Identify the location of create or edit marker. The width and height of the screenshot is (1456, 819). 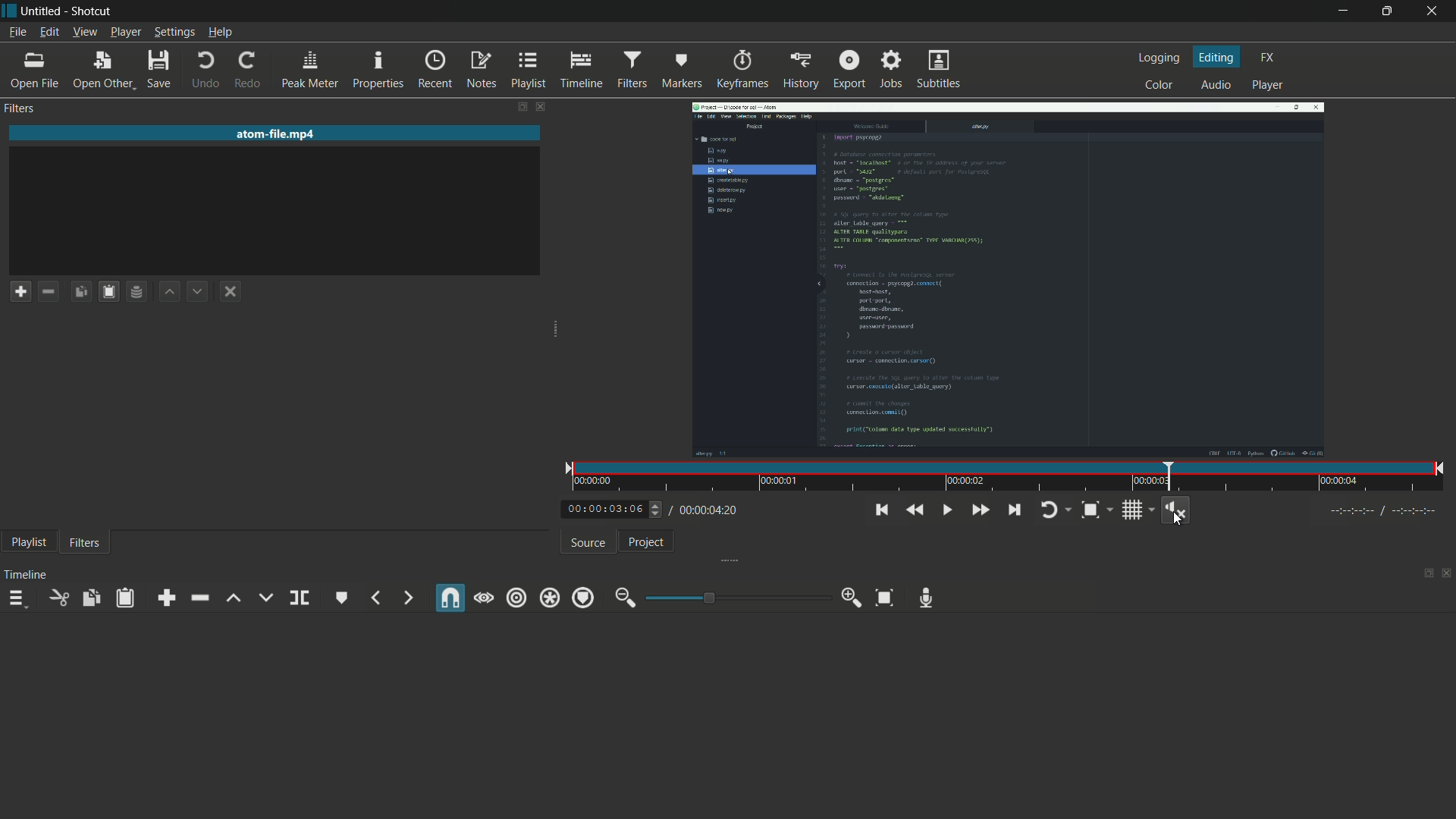
(340, 598).